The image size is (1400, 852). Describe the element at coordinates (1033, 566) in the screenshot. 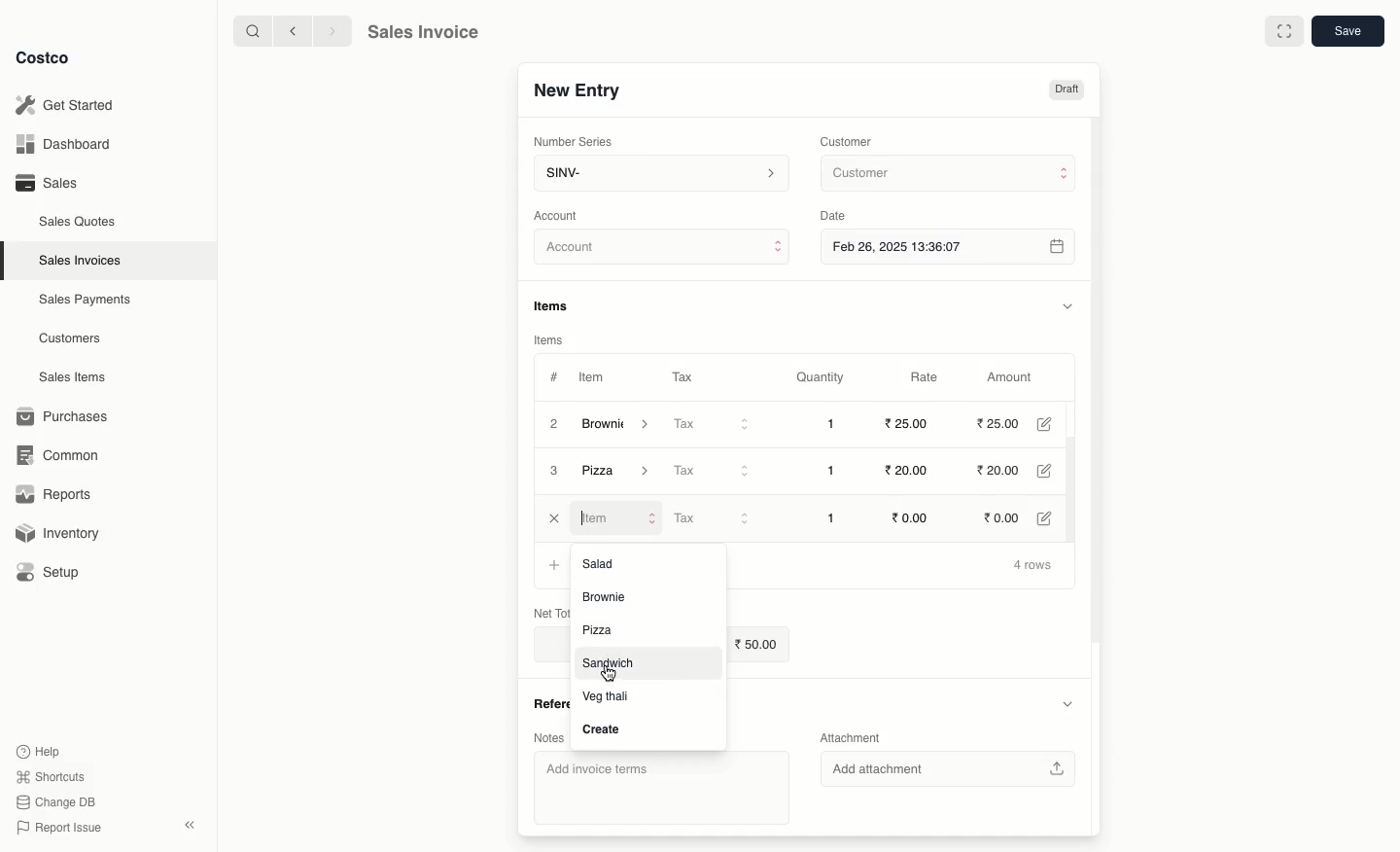

I see `4 rows` at that location.